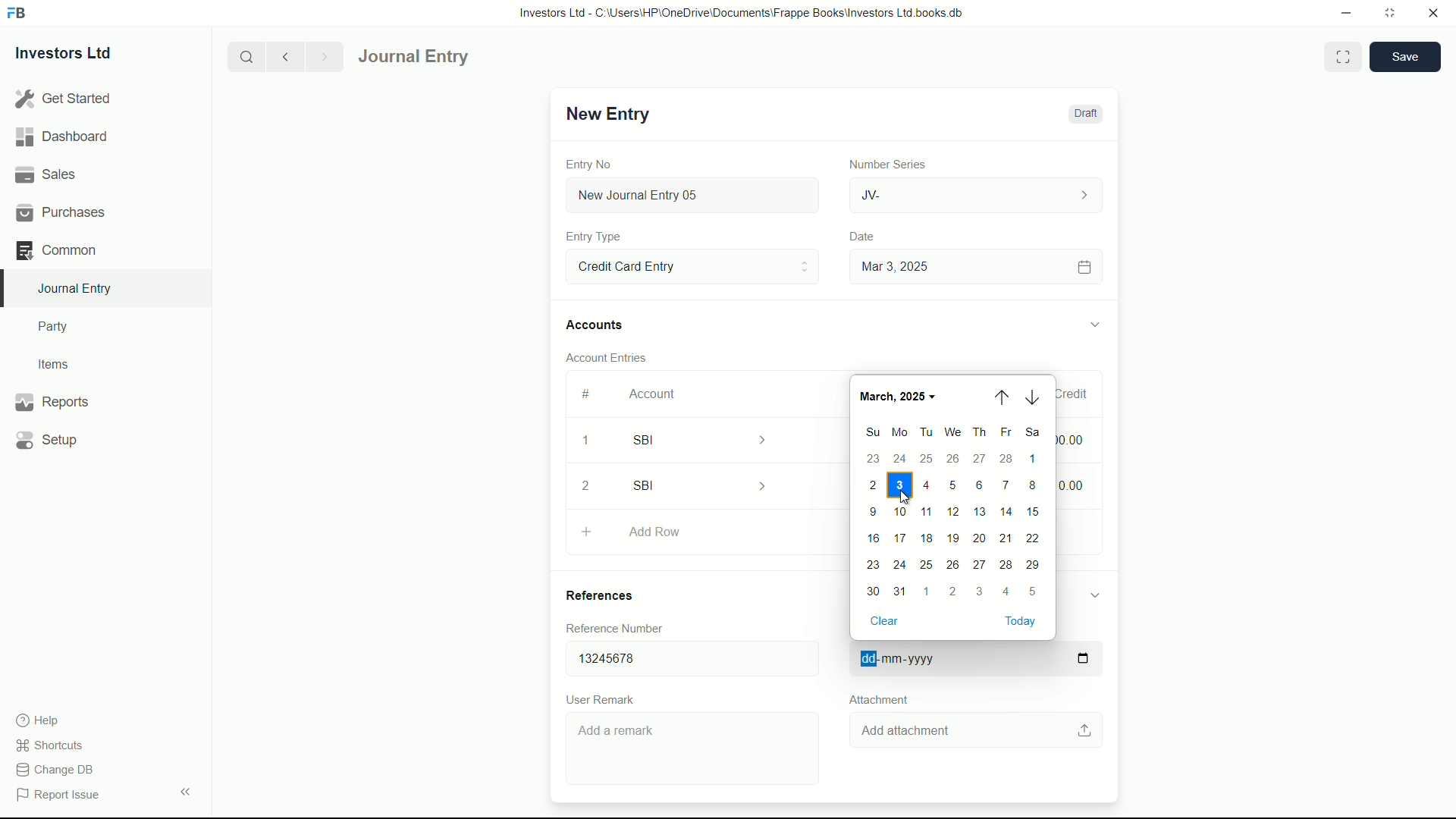 The height and width of the screenshot is (819, 1456). I want to click on days, so click(952, 433).